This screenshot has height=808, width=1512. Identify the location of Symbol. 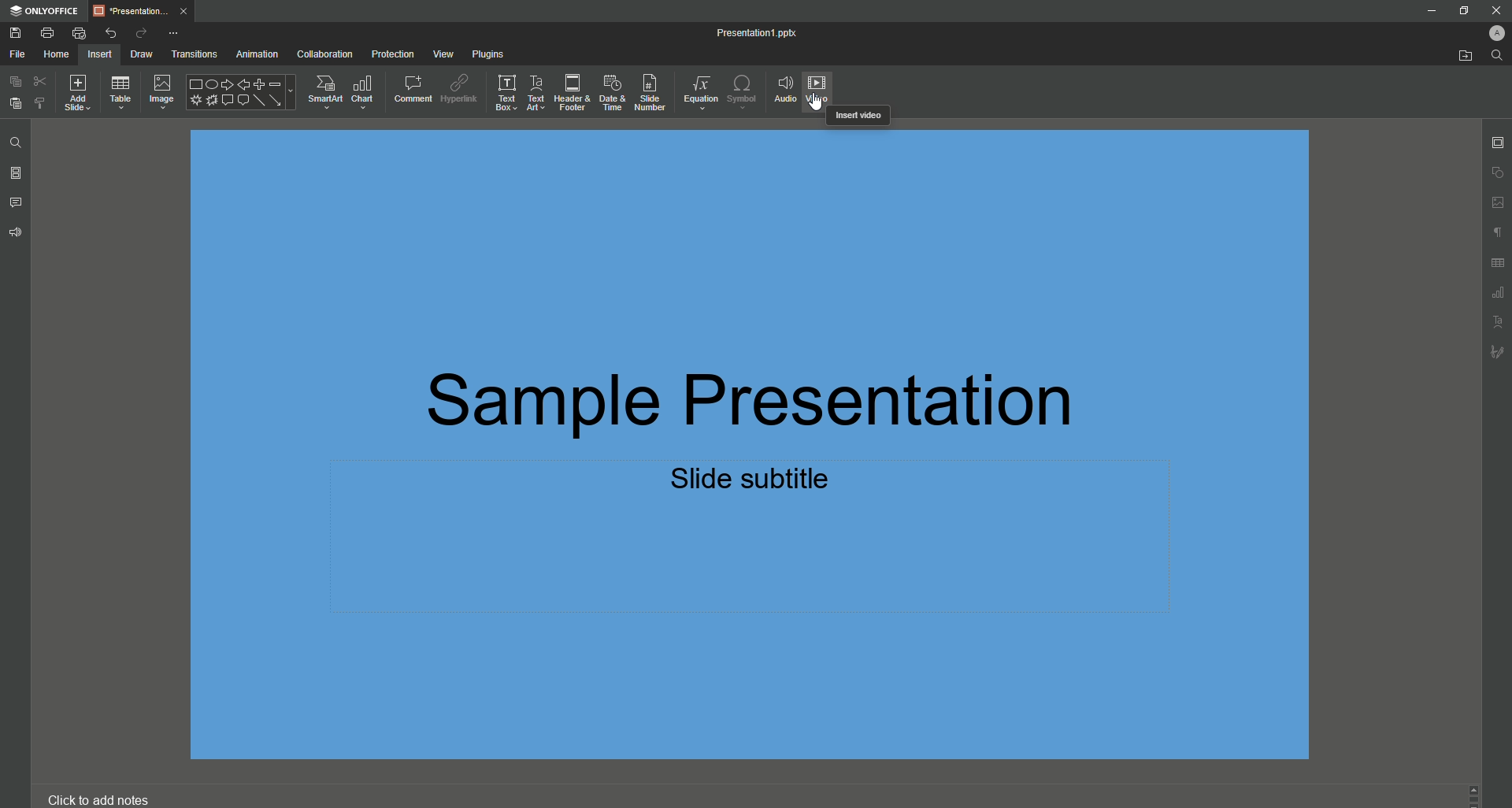
(742, 91).